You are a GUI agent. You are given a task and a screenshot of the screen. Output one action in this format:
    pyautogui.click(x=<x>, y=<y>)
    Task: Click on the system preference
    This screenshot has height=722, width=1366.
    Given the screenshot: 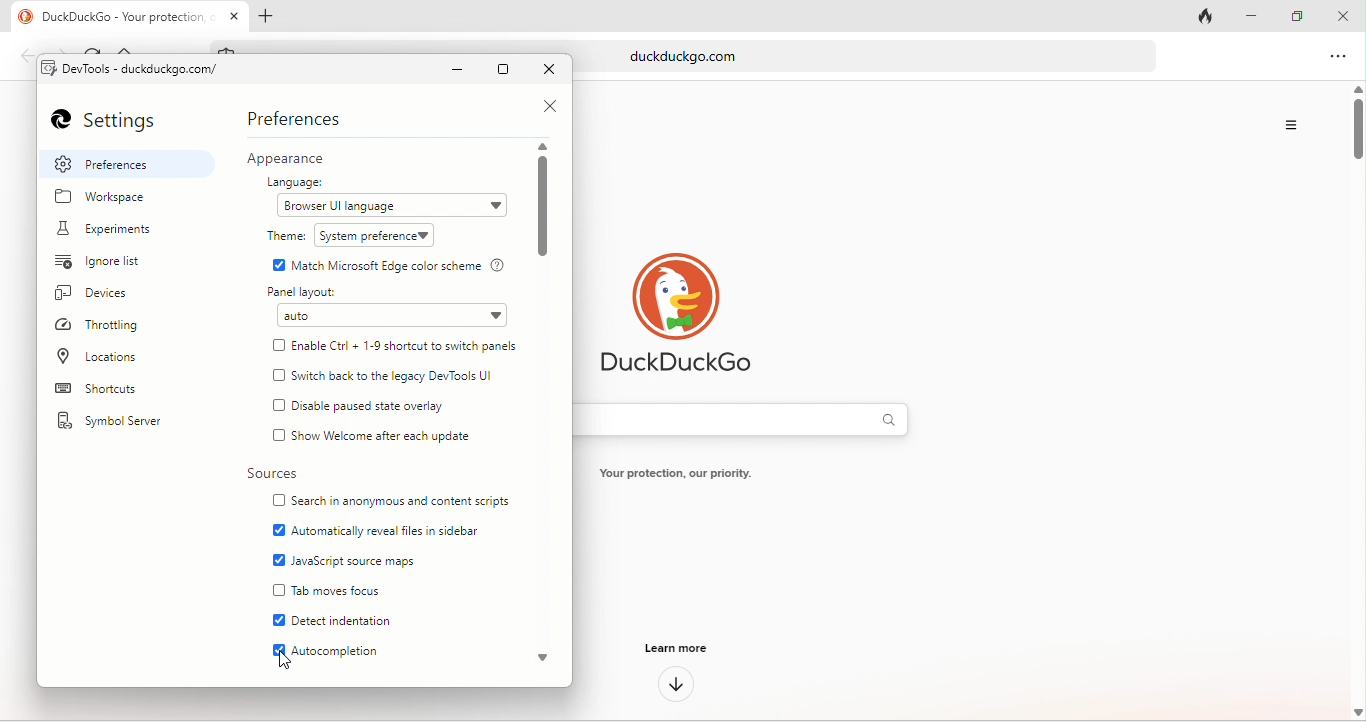 What is the action you would take?
    pyautogui.click(x=378, y=236)
    